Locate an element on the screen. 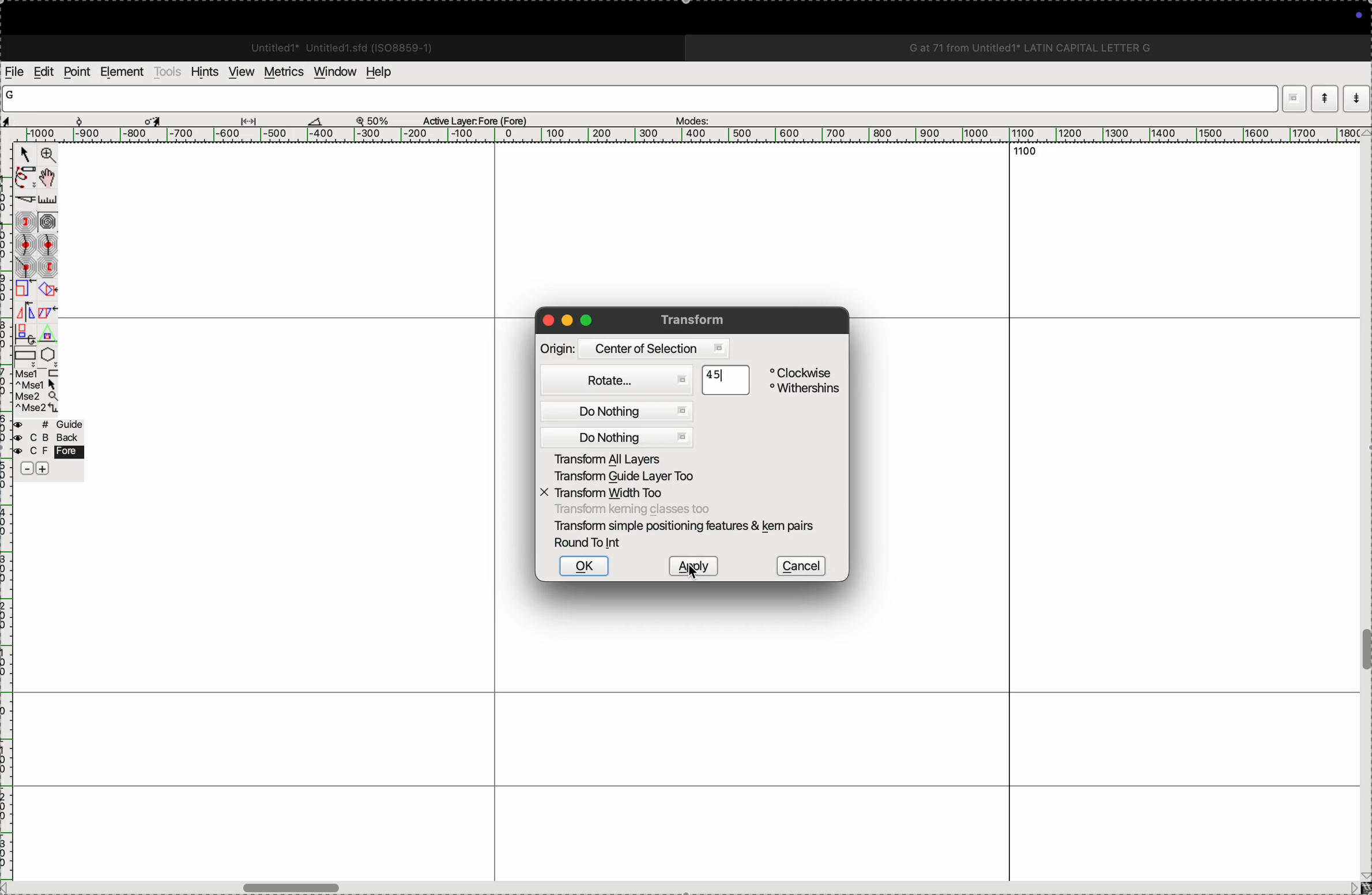 The image size is (1372, 895). Transform all layers is located at coordinates (620, 459).